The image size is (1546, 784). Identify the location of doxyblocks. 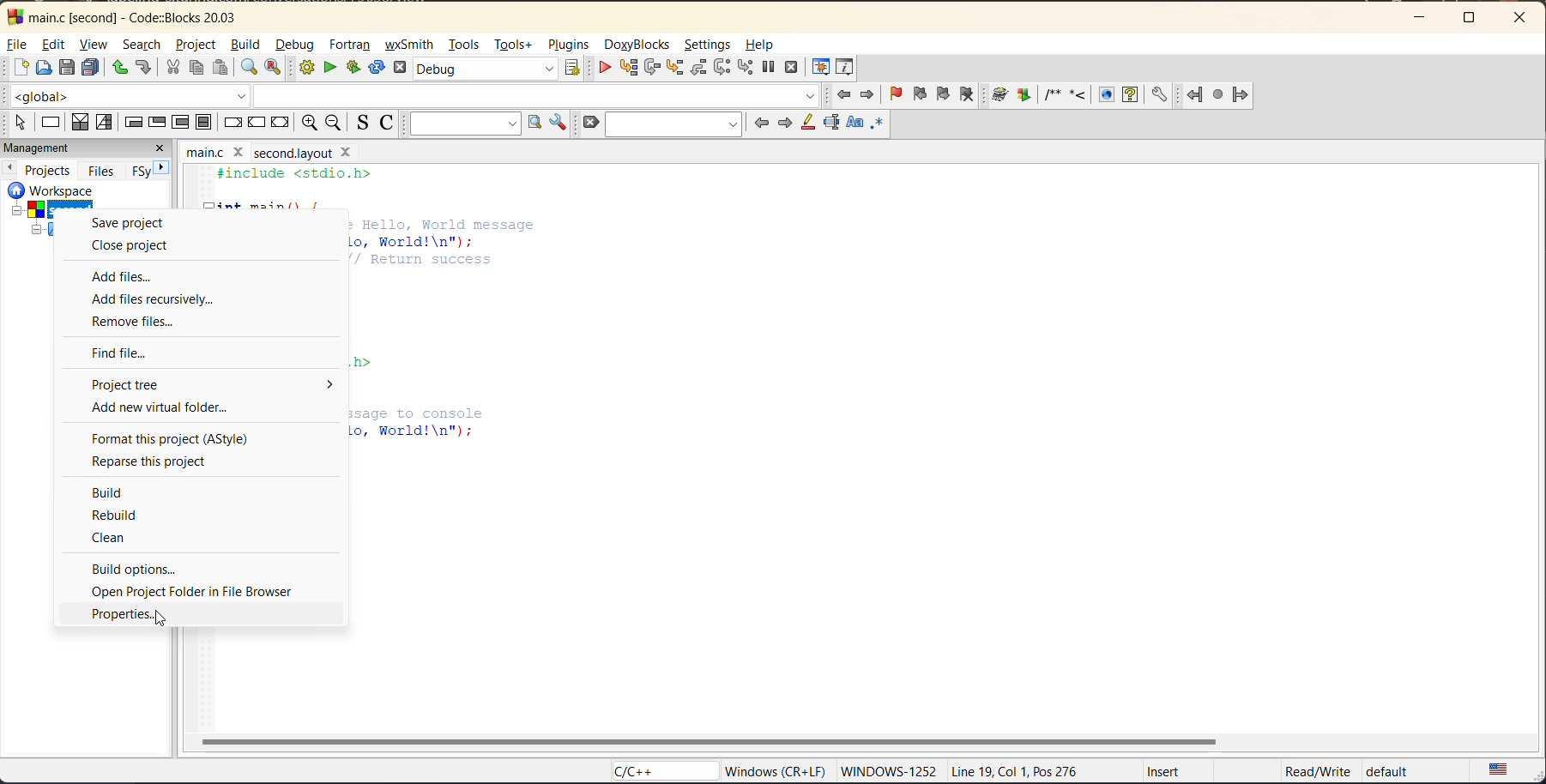
(642, 43).